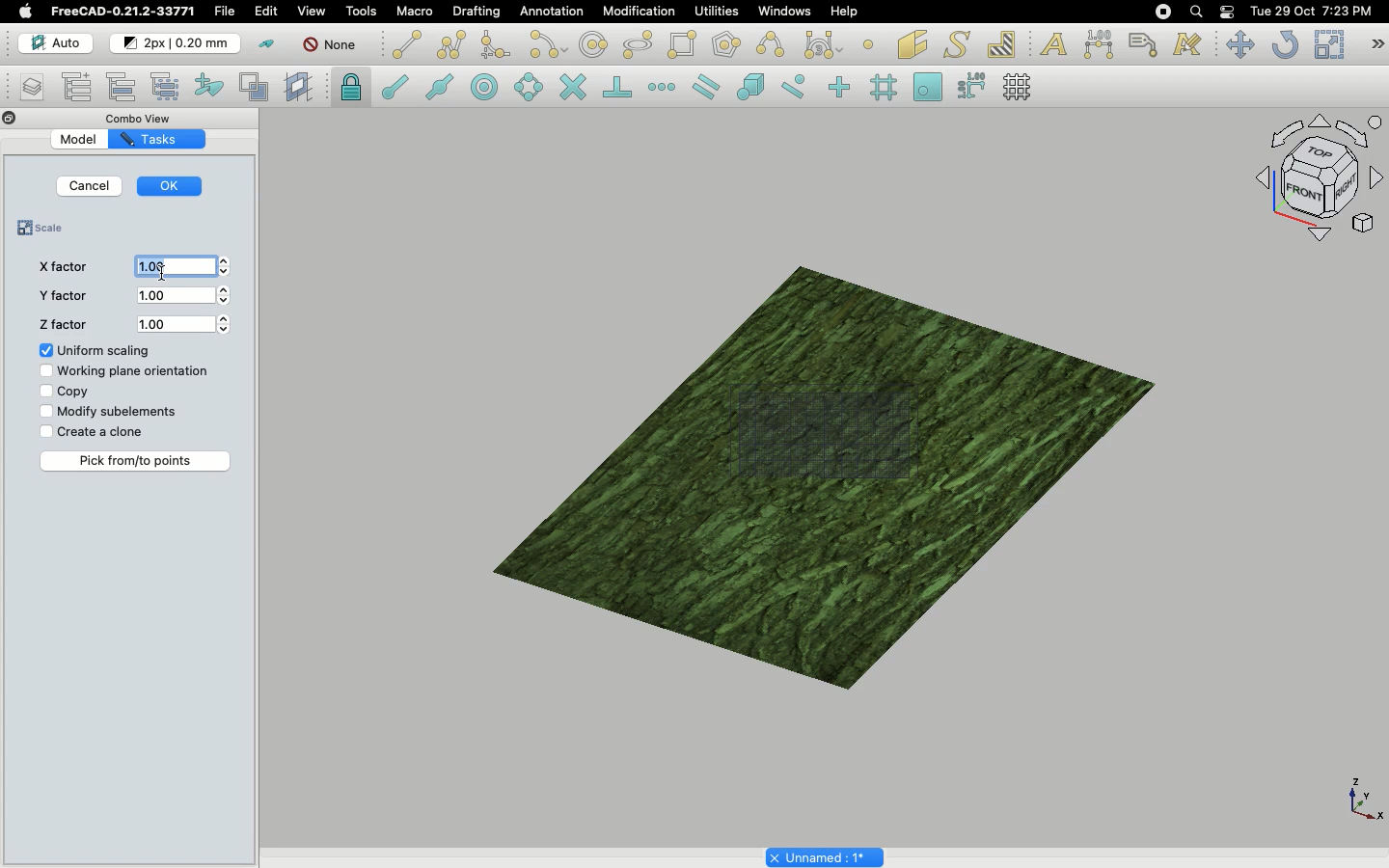  Describe the element at coordinates (181, 266) in the screenshot. I see `1` at that location.